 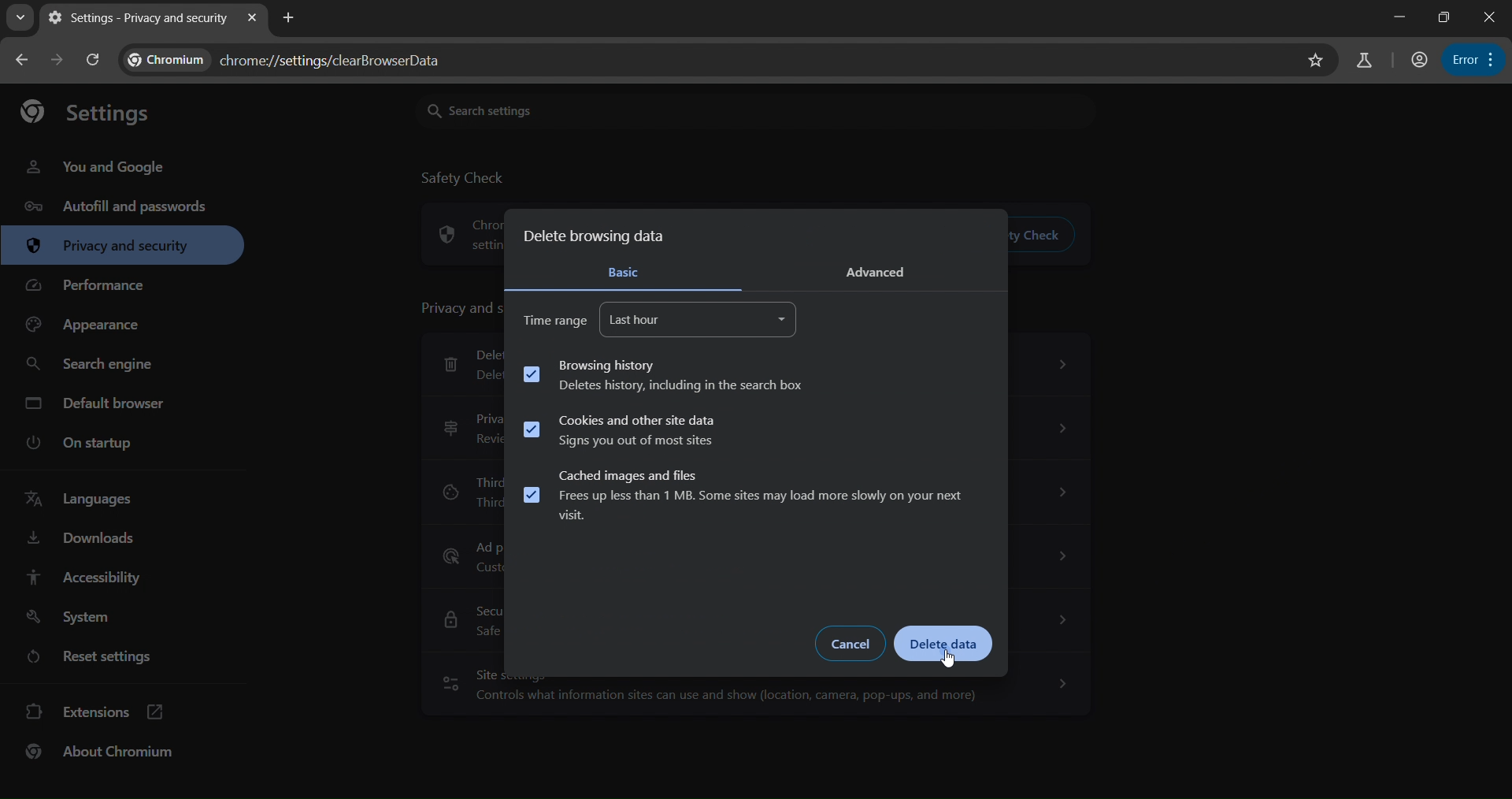 I want to click on go forward one page, so click(x=58, y=59).